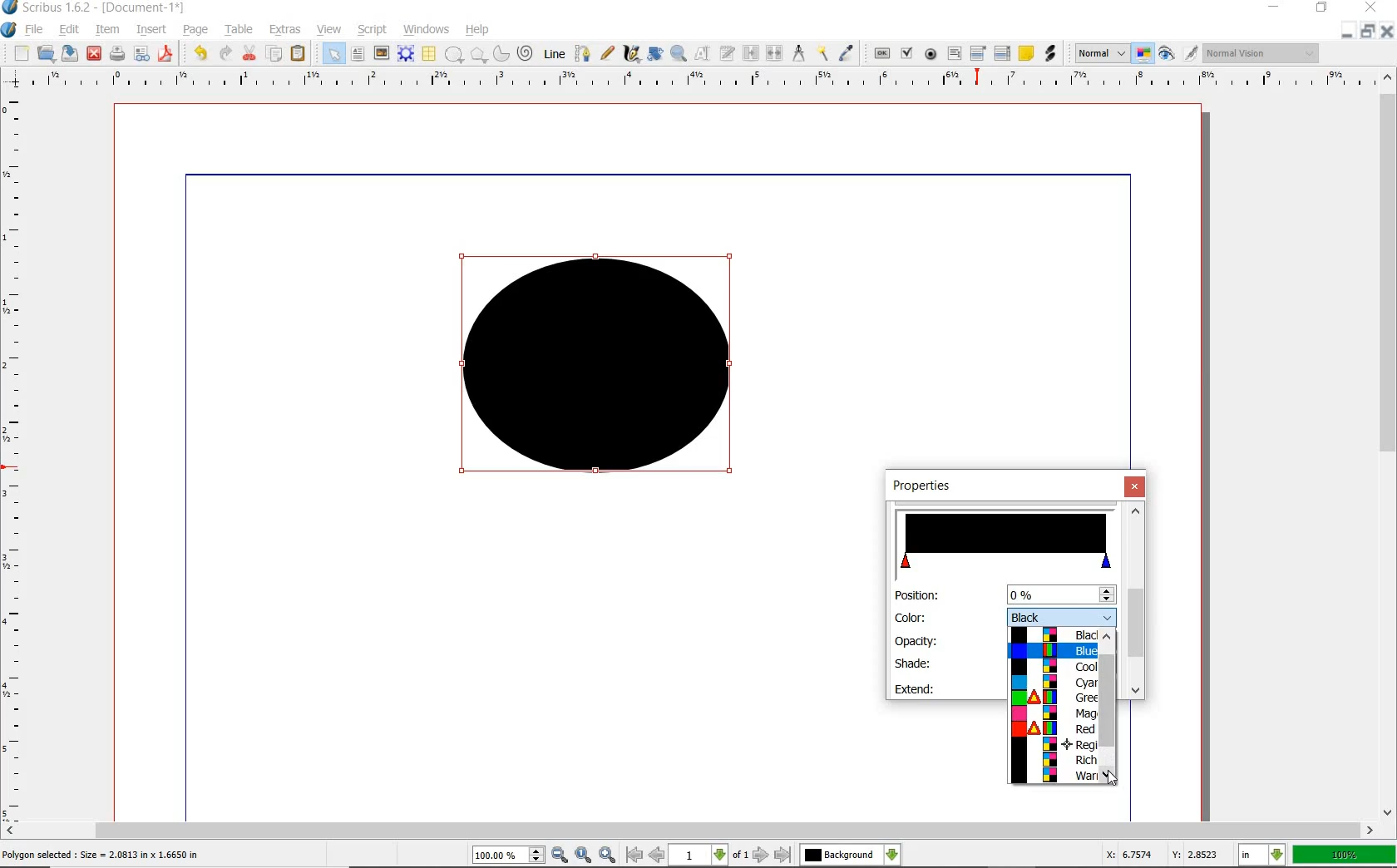 Image resolution: width=1397 pixels, height=868 pixels. I want to click on zoom in, so click(609, 854).